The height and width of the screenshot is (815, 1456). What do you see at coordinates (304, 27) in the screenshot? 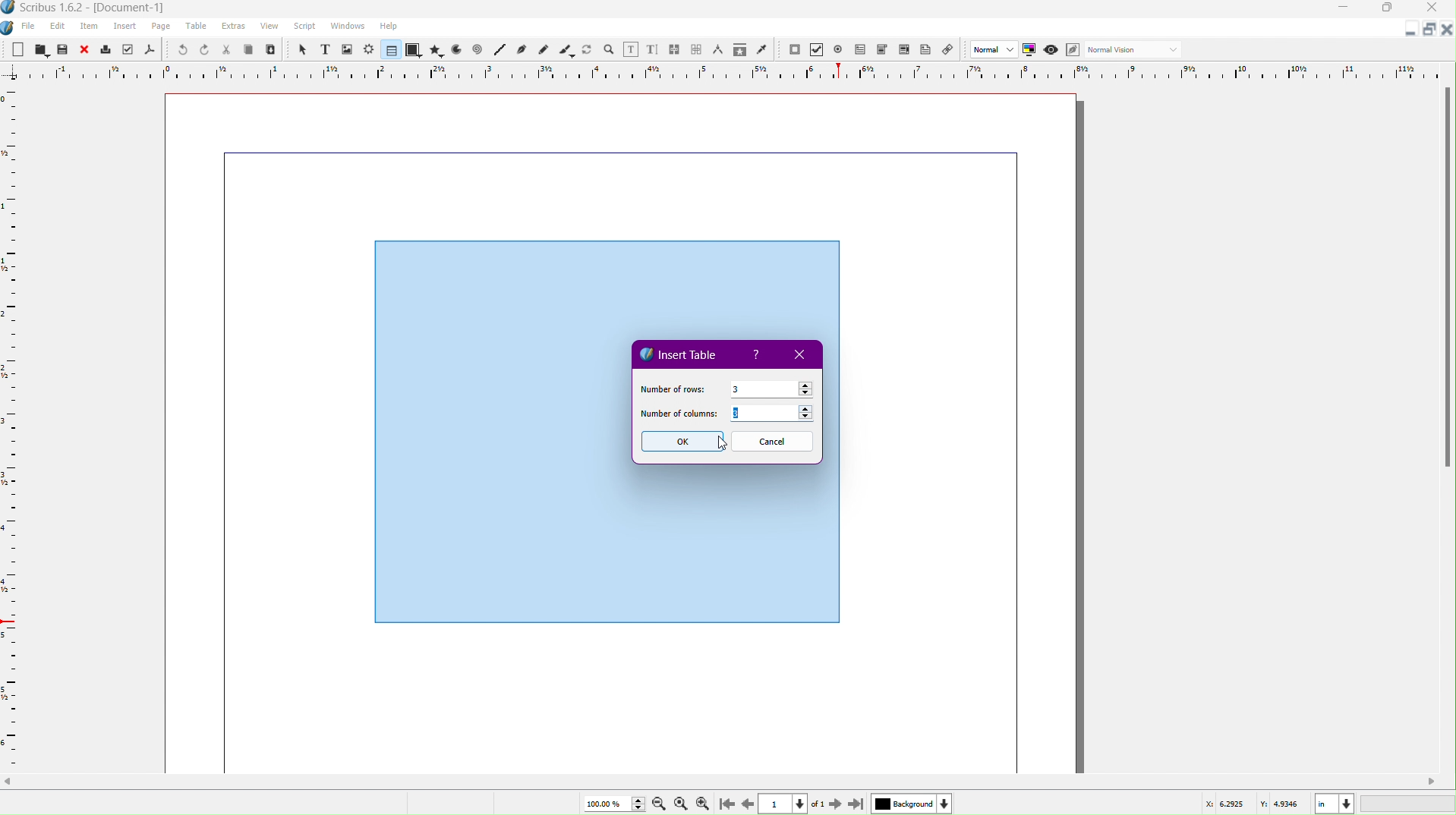
I see `Script` at bounding box center [304, 27].